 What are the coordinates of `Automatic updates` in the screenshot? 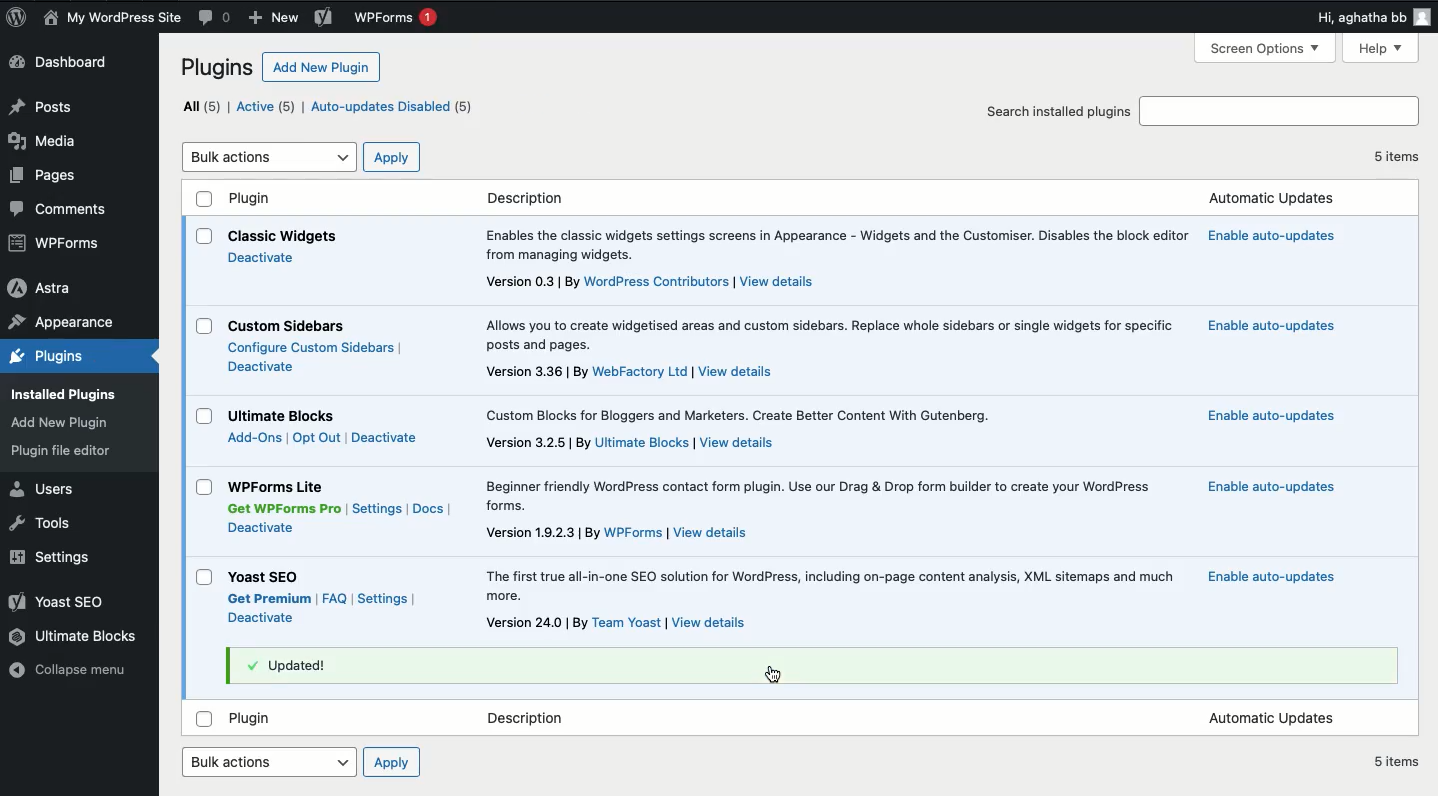 It's located at (1271, 719).